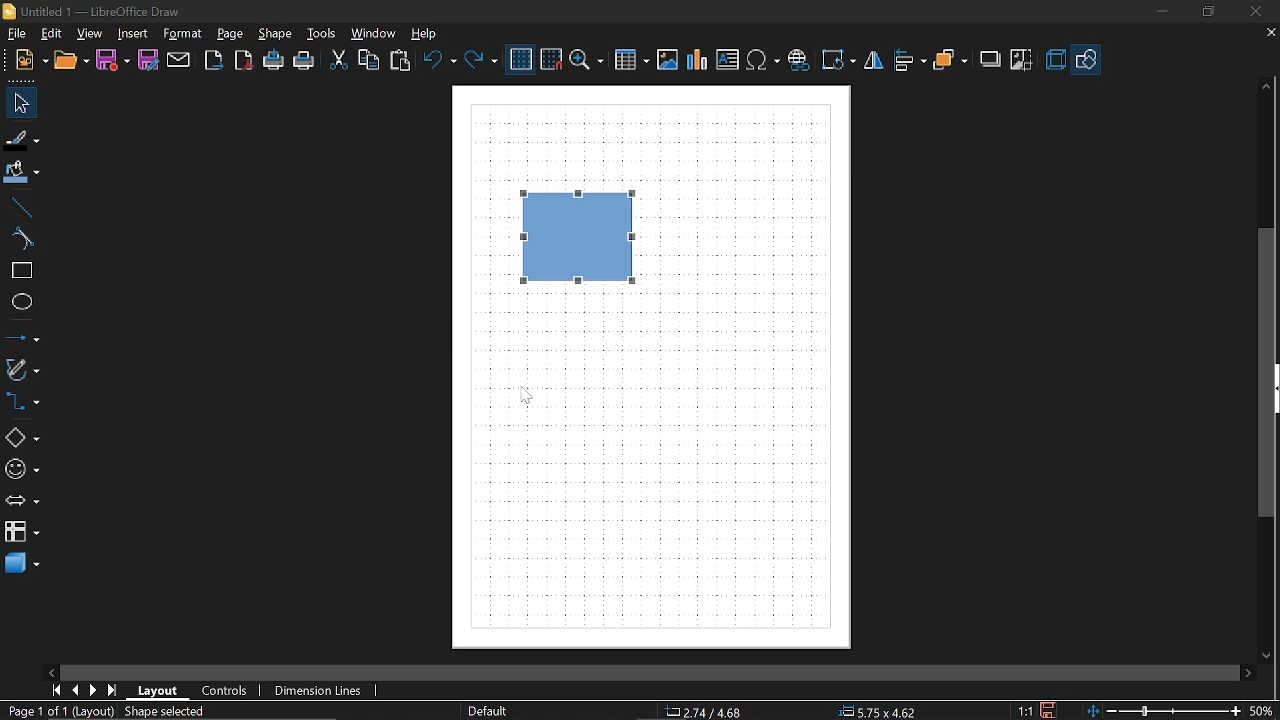 The image size is (1280, 720). Describe the element at coordinates (22, 434) in the screenshot. I see `Basic shapes` at that location.